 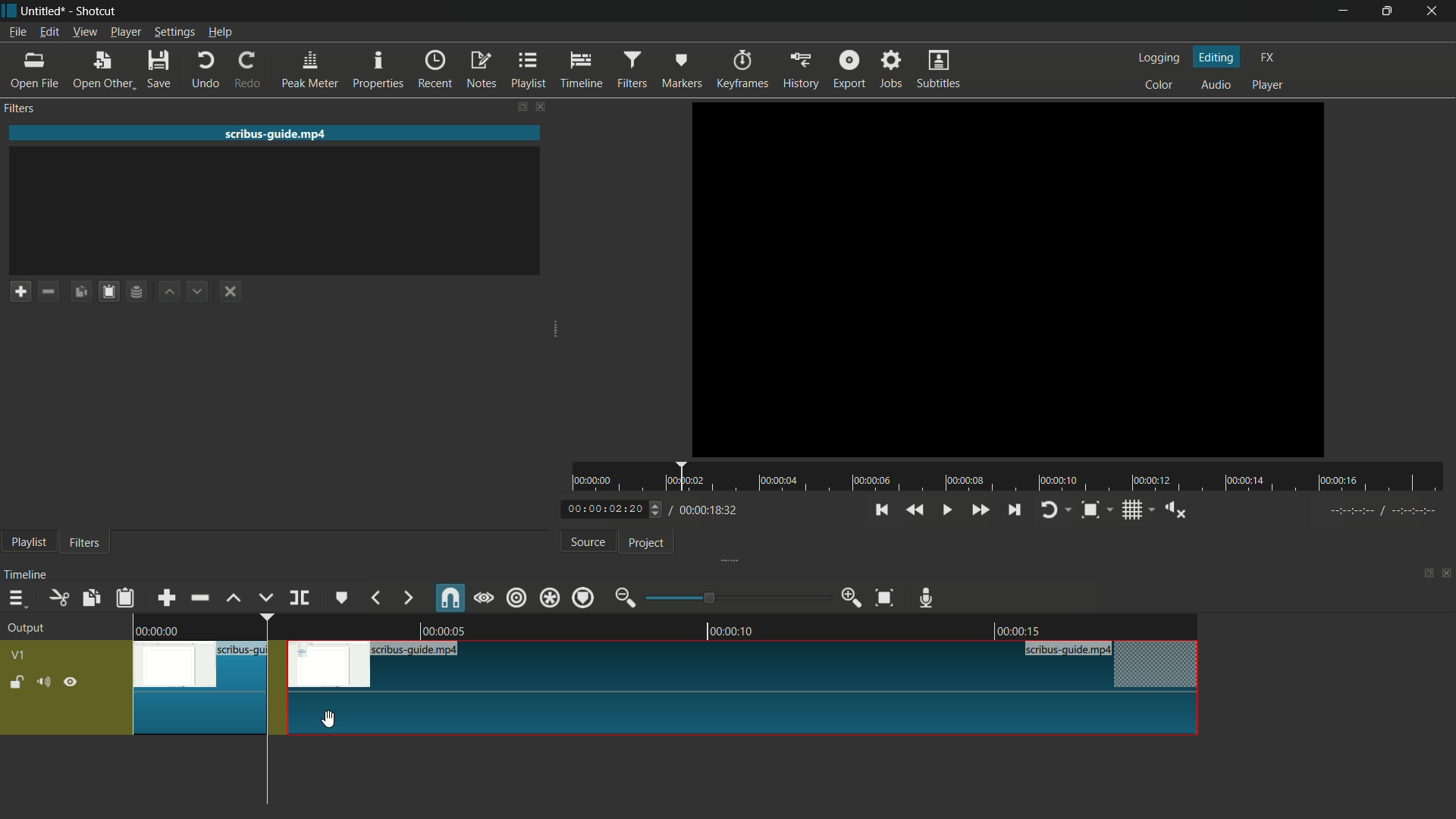 What do you see at coordinates (1436, 11) in the screenshot?
I see `close app` at bounding box center [1436, 11].